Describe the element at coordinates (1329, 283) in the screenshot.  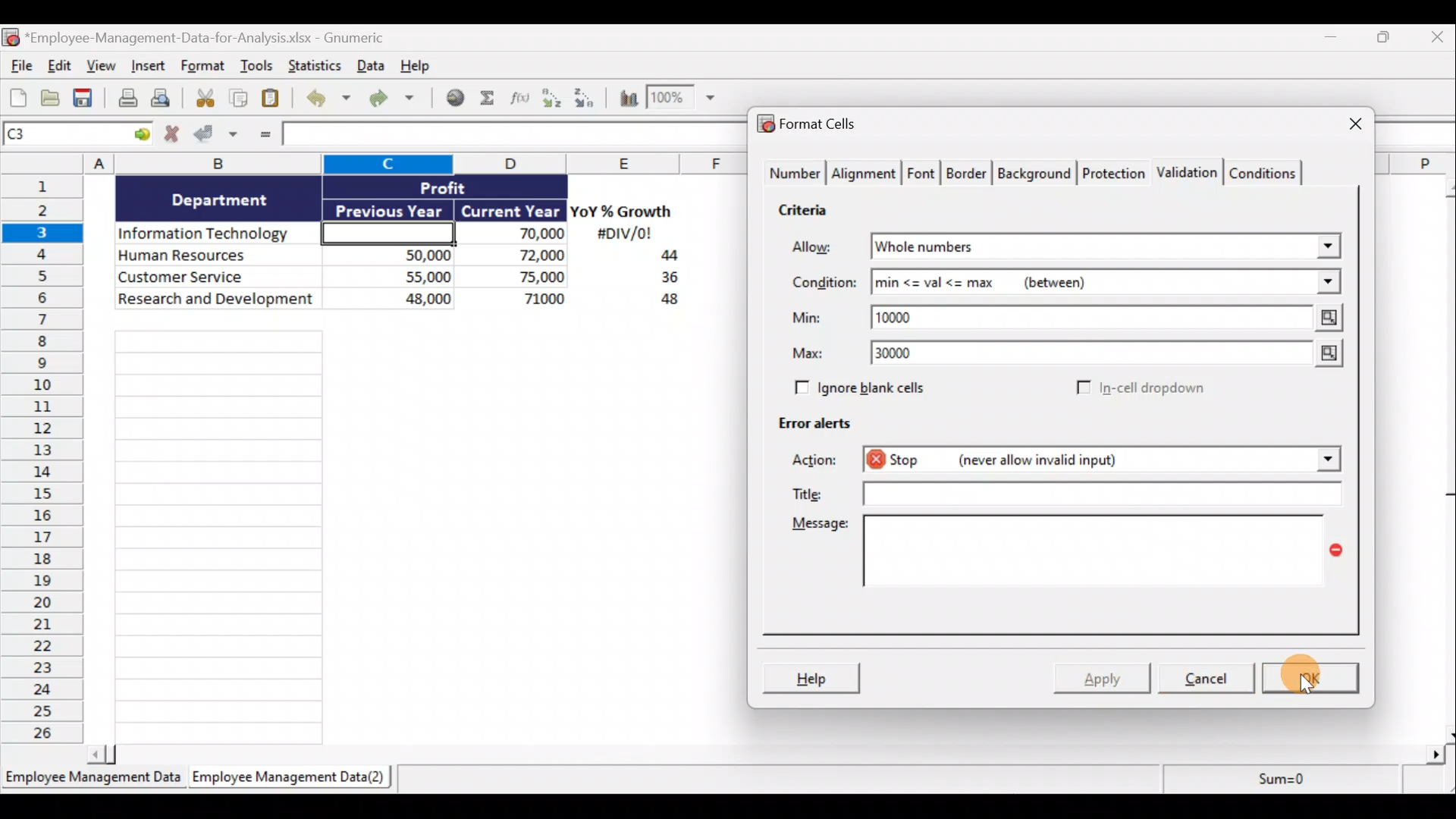
I see `Condition drop down` at that location.